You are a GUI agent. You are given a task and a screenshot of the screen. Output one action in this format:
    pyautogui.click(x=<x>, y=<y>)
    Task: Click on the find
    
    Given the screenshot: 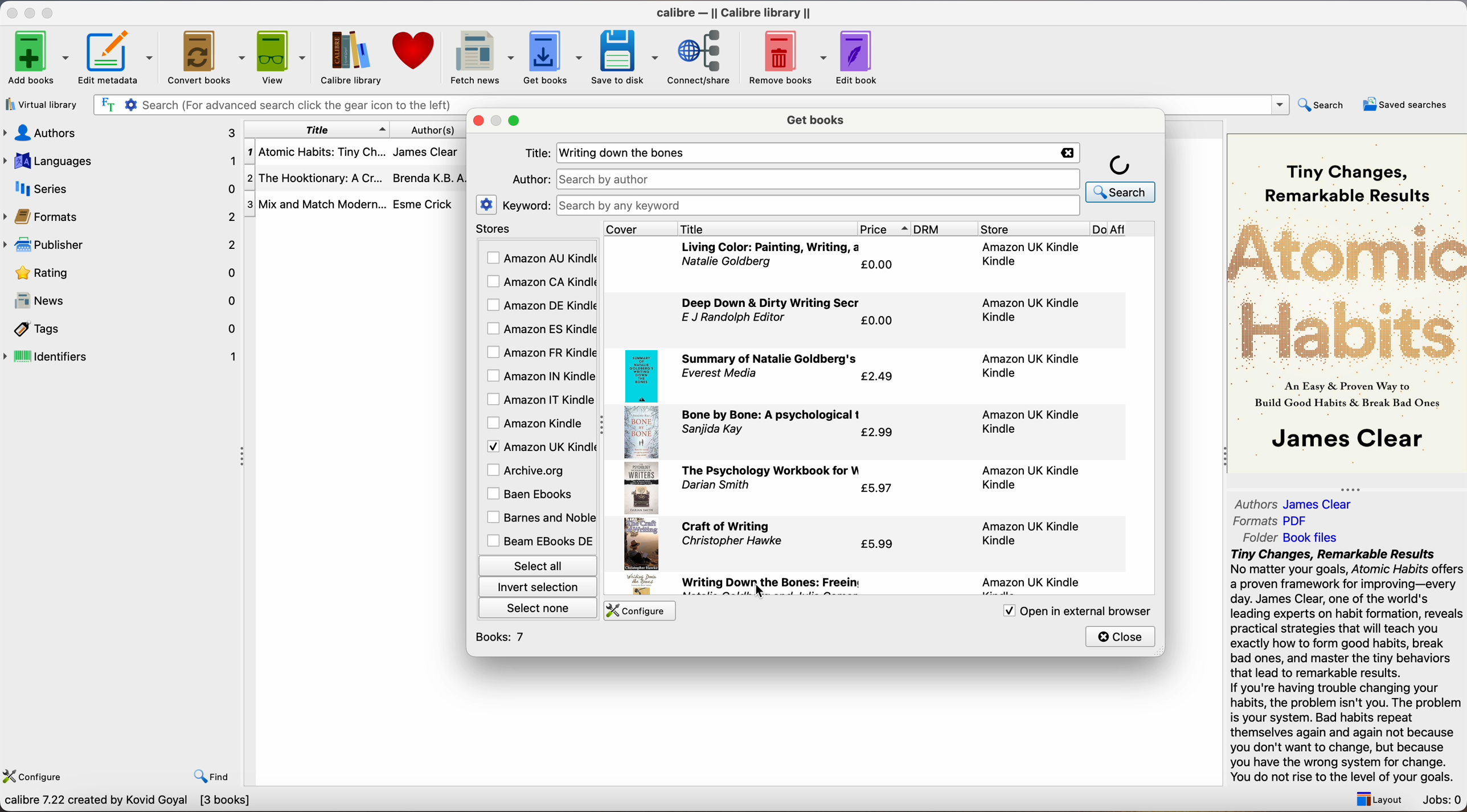 What is the action you would take?
    pyautogui.click(x=212, y=776)
    